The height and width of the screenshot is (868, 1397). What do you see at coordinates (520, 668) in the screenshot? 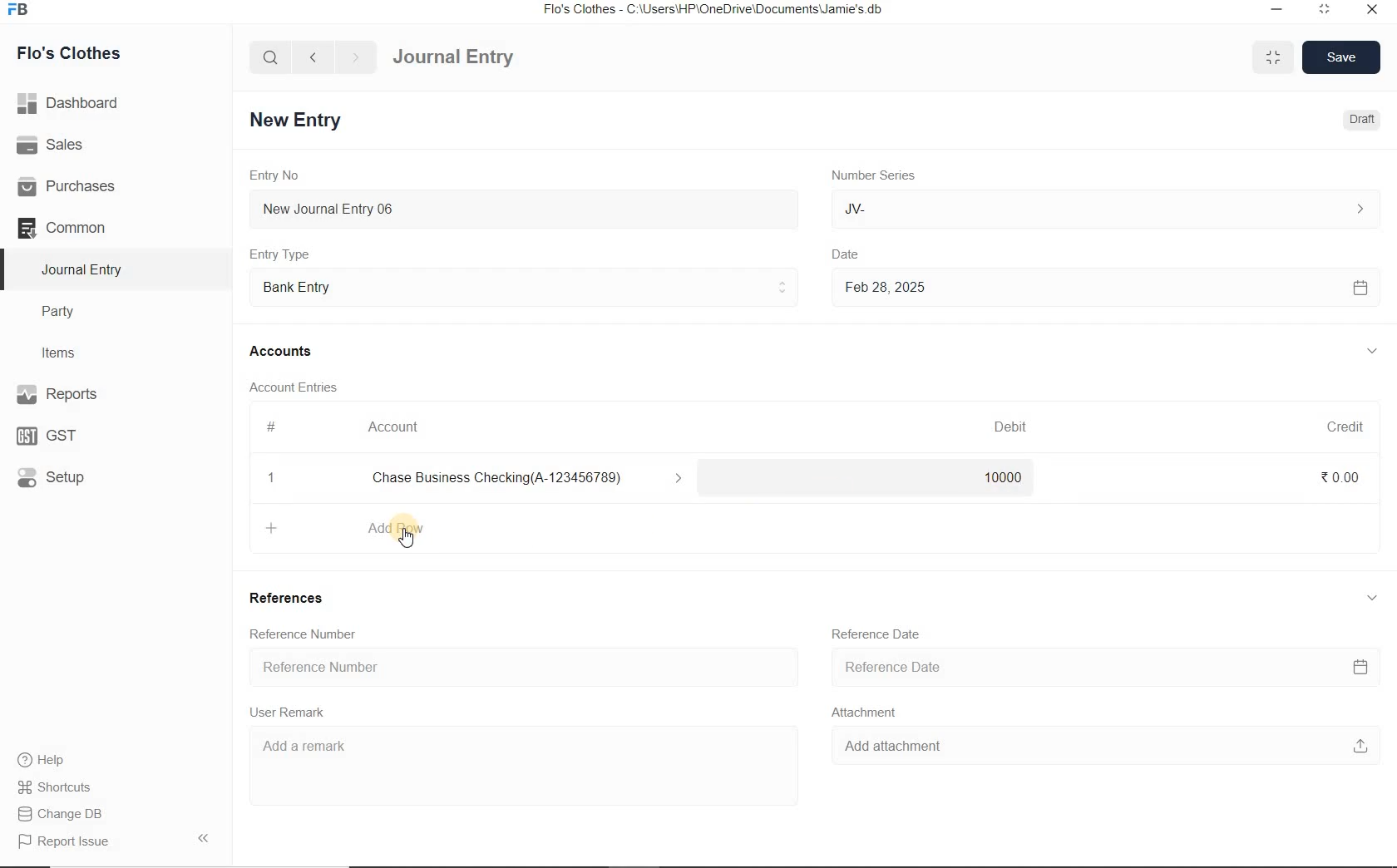
I see `Reference Number` at bounding box center [520, 668].